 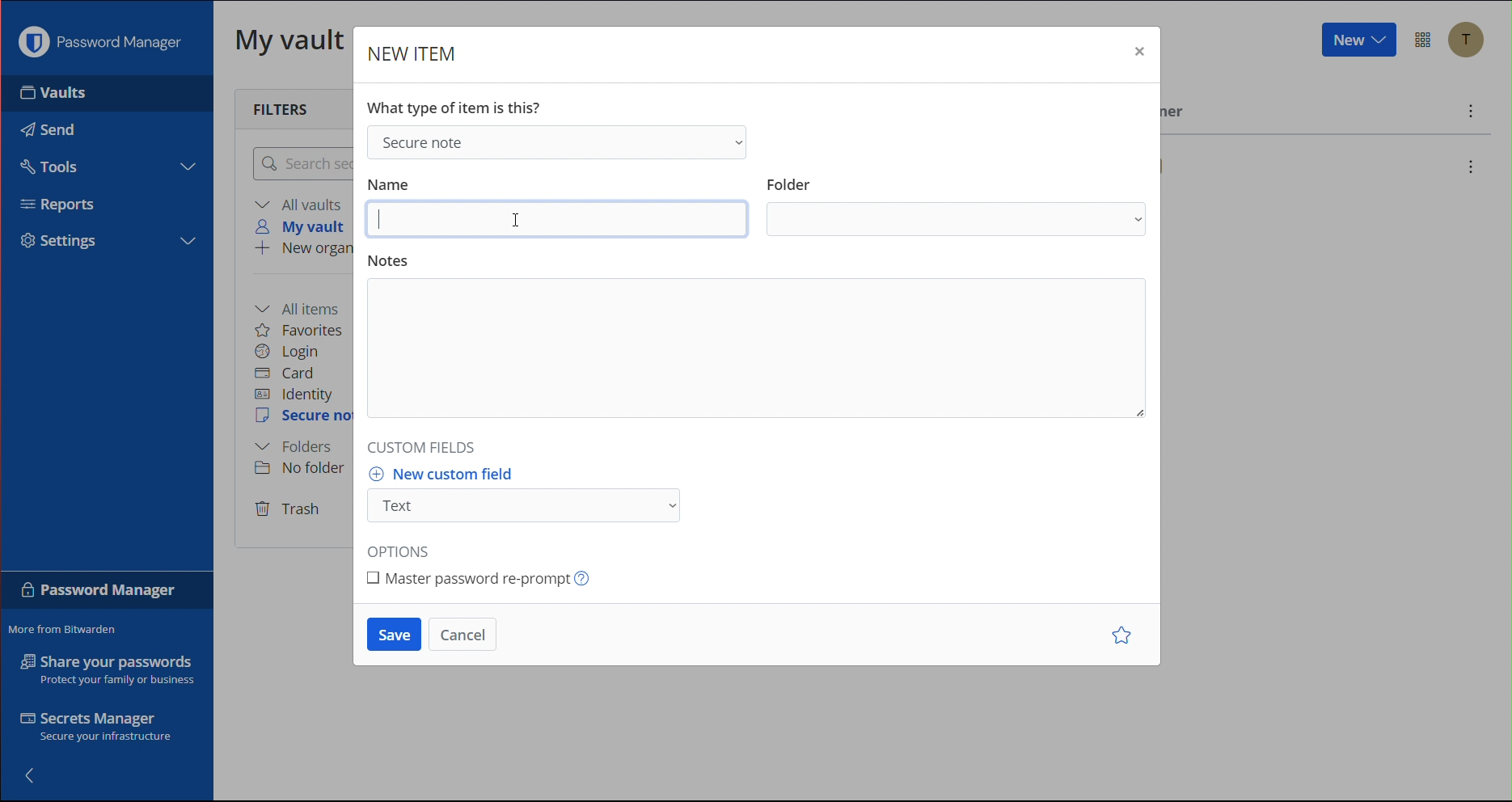 I want to click on Folders, so click(x=294, y=447).